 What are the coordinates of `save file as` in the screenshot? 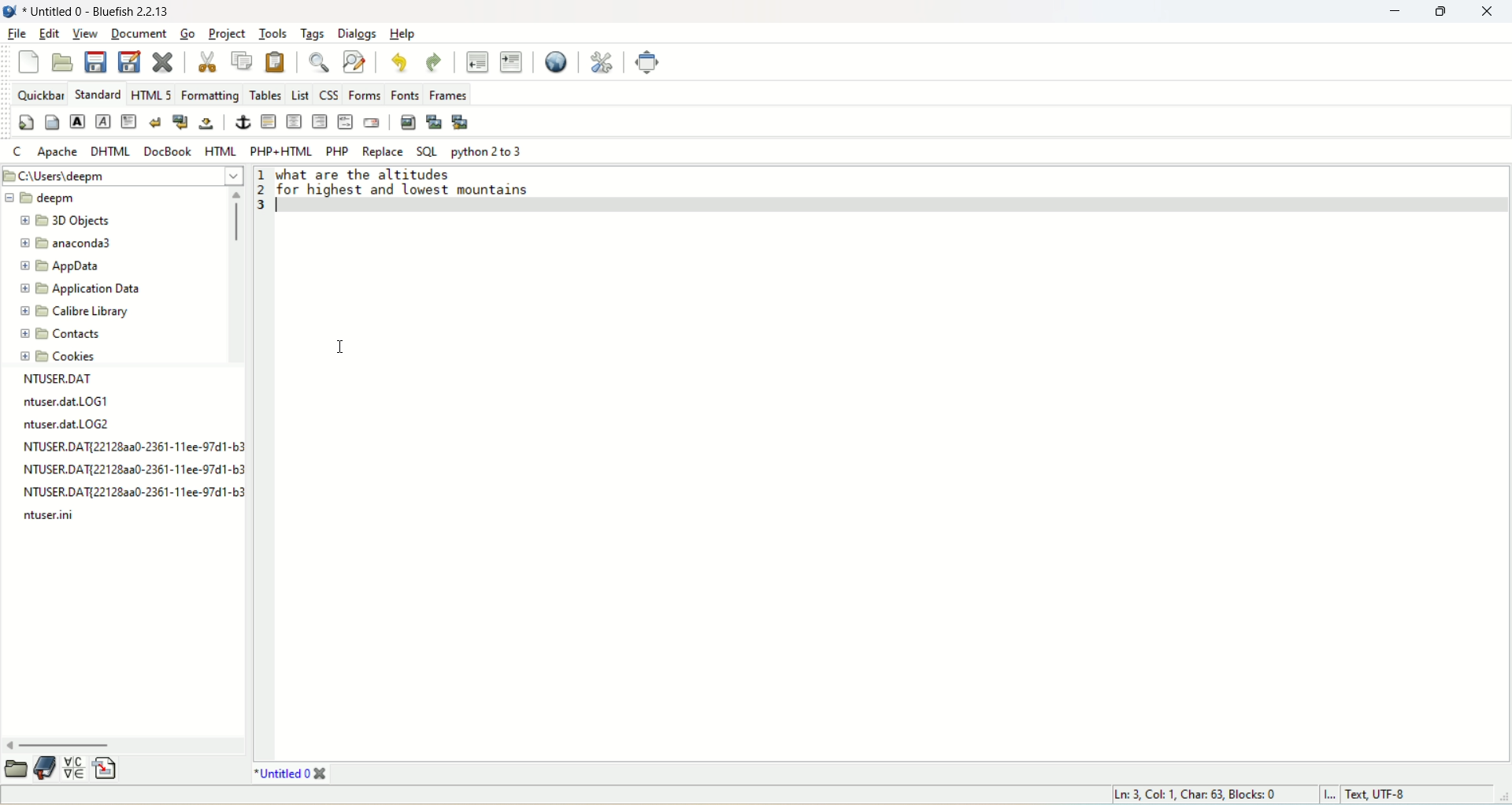 It's located at (130, 61).